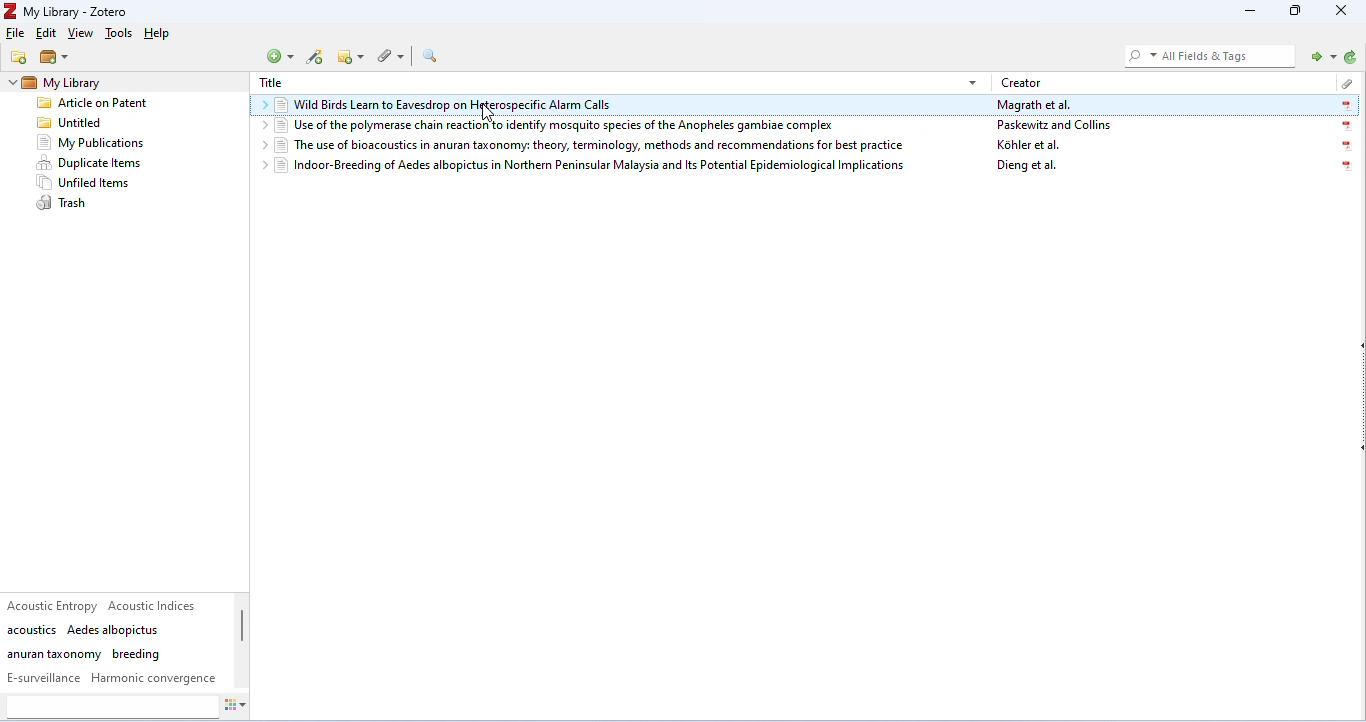  Describe the element at coordinates (118, 34) in the screenshot. I see `tools` at that location.